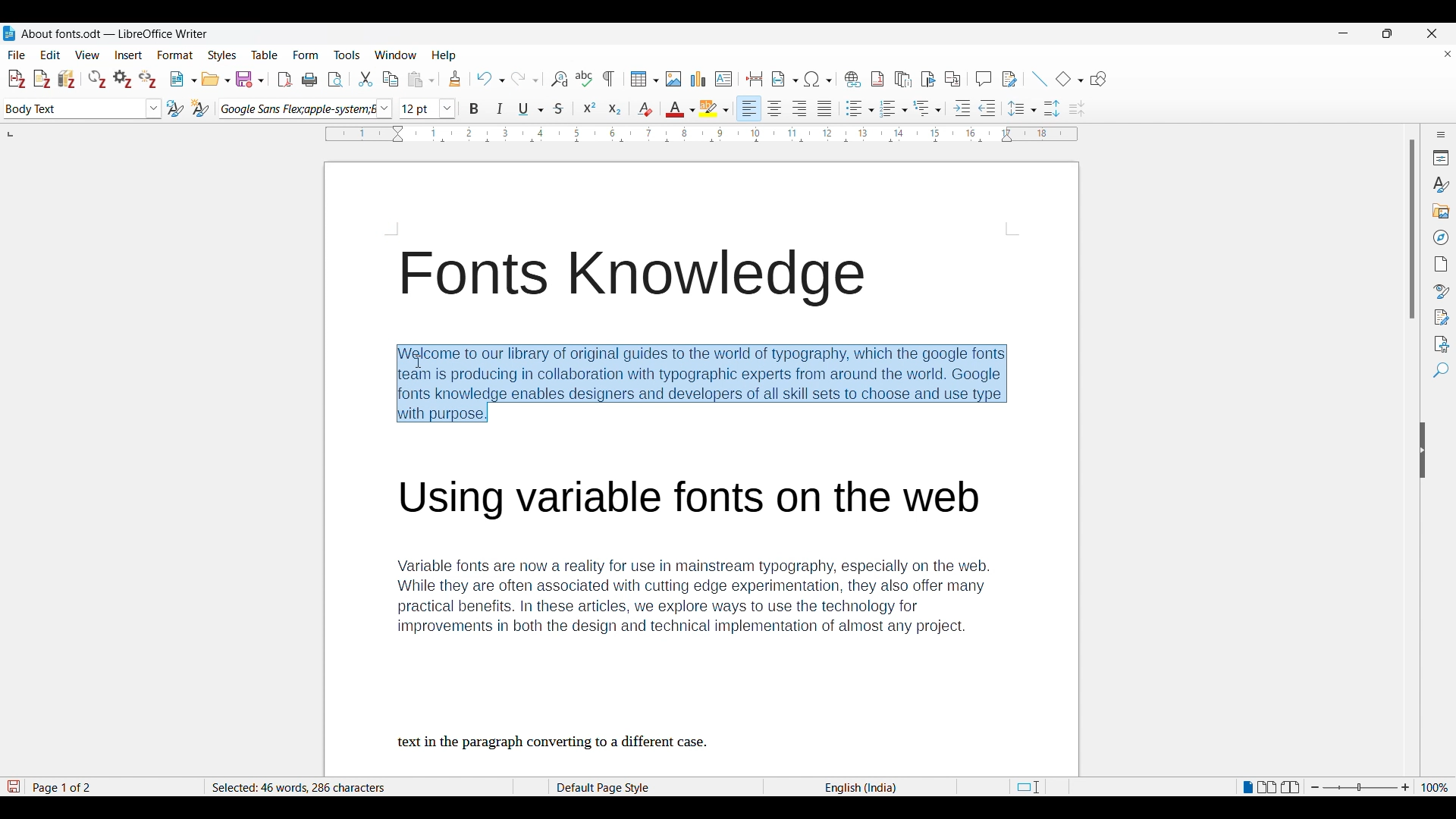 This screenshot has height=819, width=1456. I want to click on Current page out of total pages, so click(64, 787).